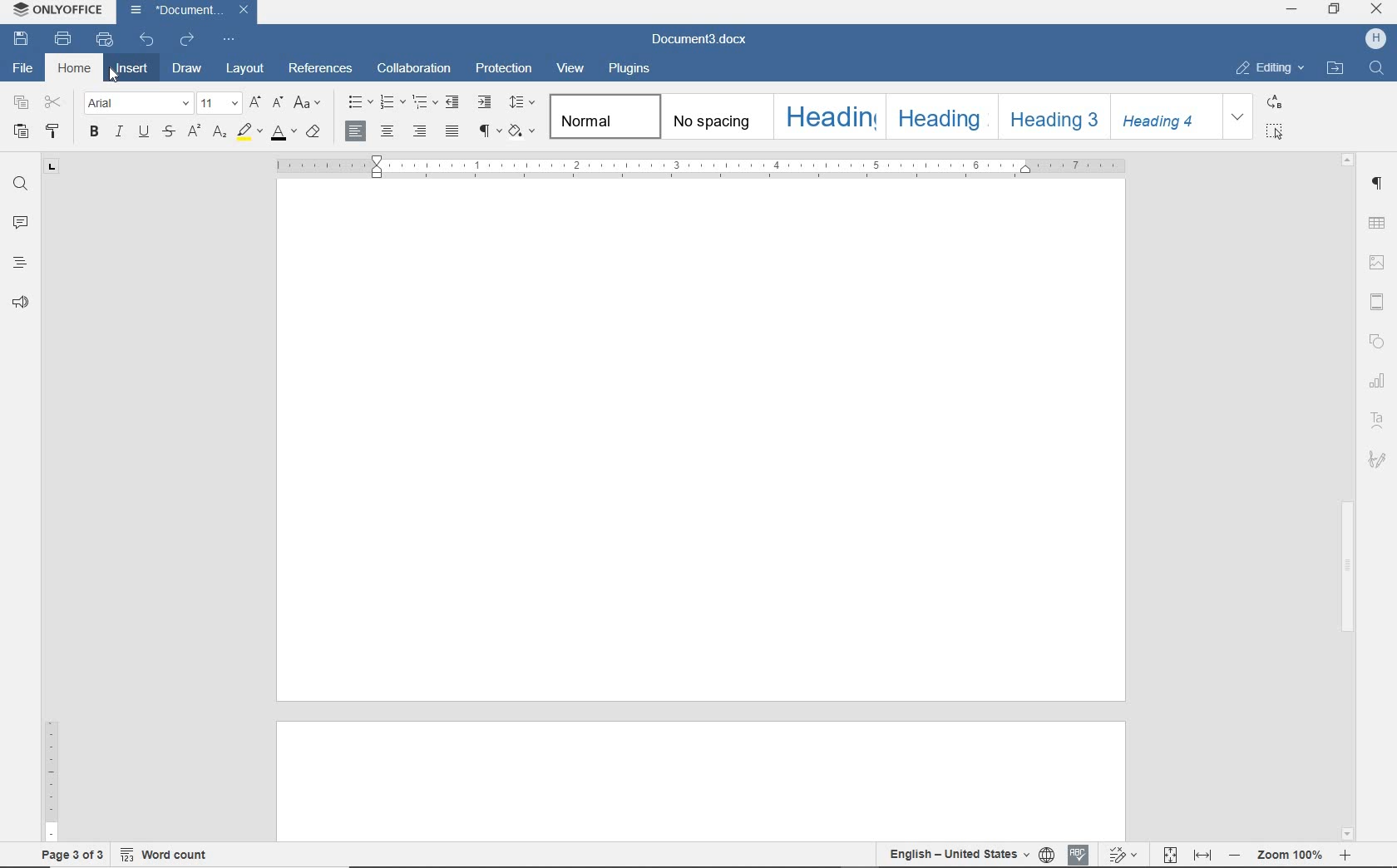 The image size is (1397, 868). Describe the element at coordinates (17, 264) in the screenshot. I see `HEADINGS` at that location.